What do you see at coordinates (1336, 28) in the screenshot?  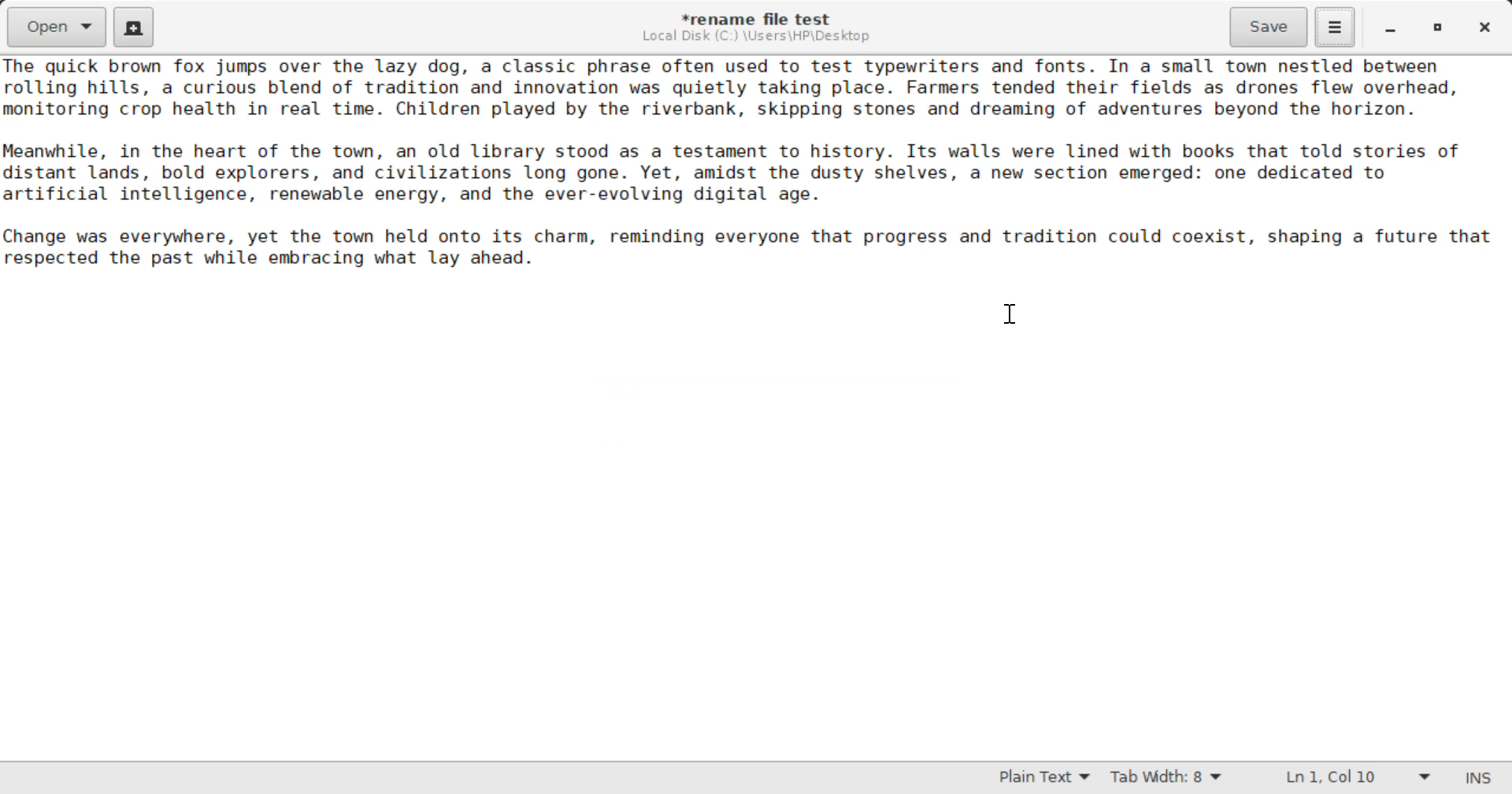 I see `More Options Menu` at bounding box center [1336, 28].